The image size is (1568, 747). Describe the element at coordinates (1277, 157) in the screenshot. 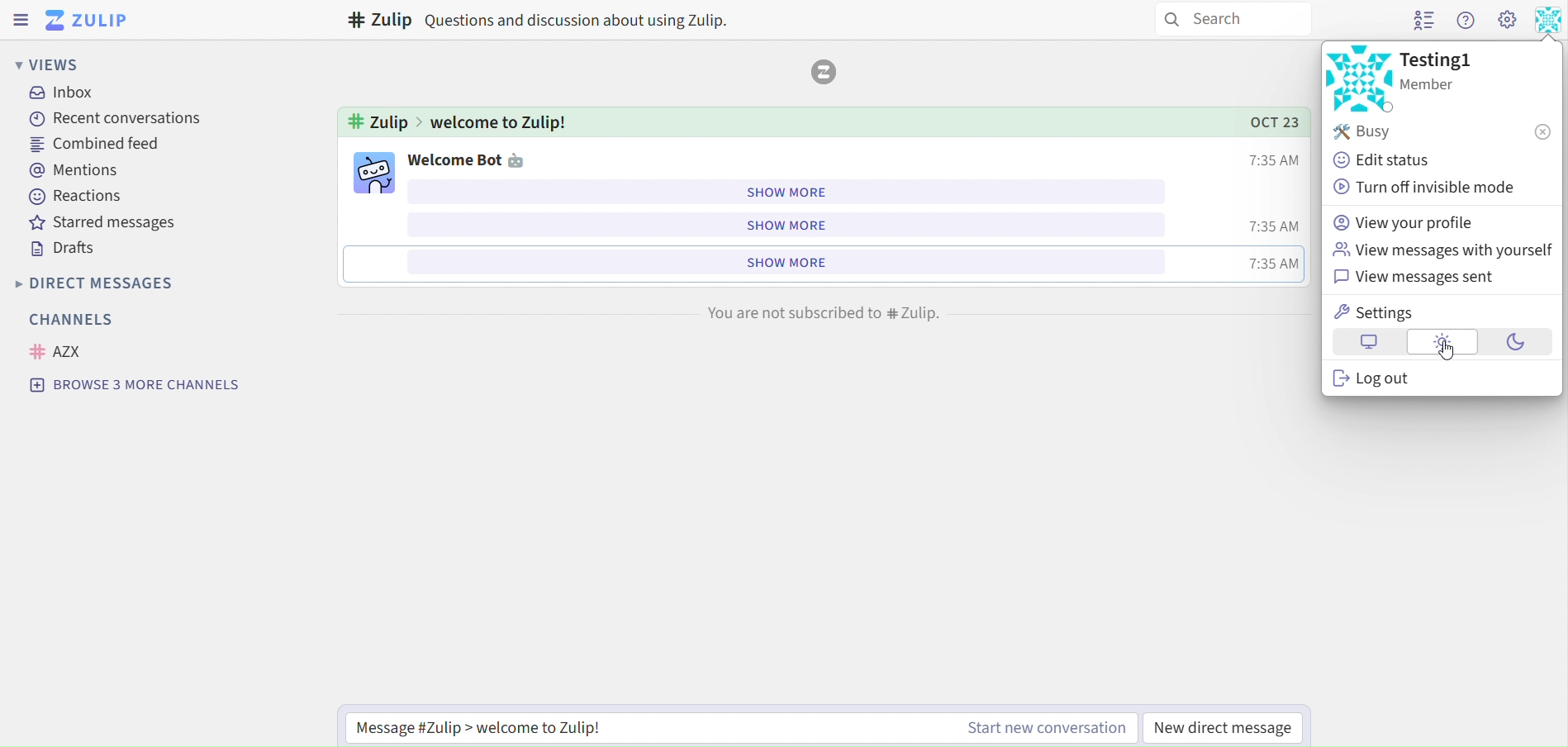

I see `time` at that location.